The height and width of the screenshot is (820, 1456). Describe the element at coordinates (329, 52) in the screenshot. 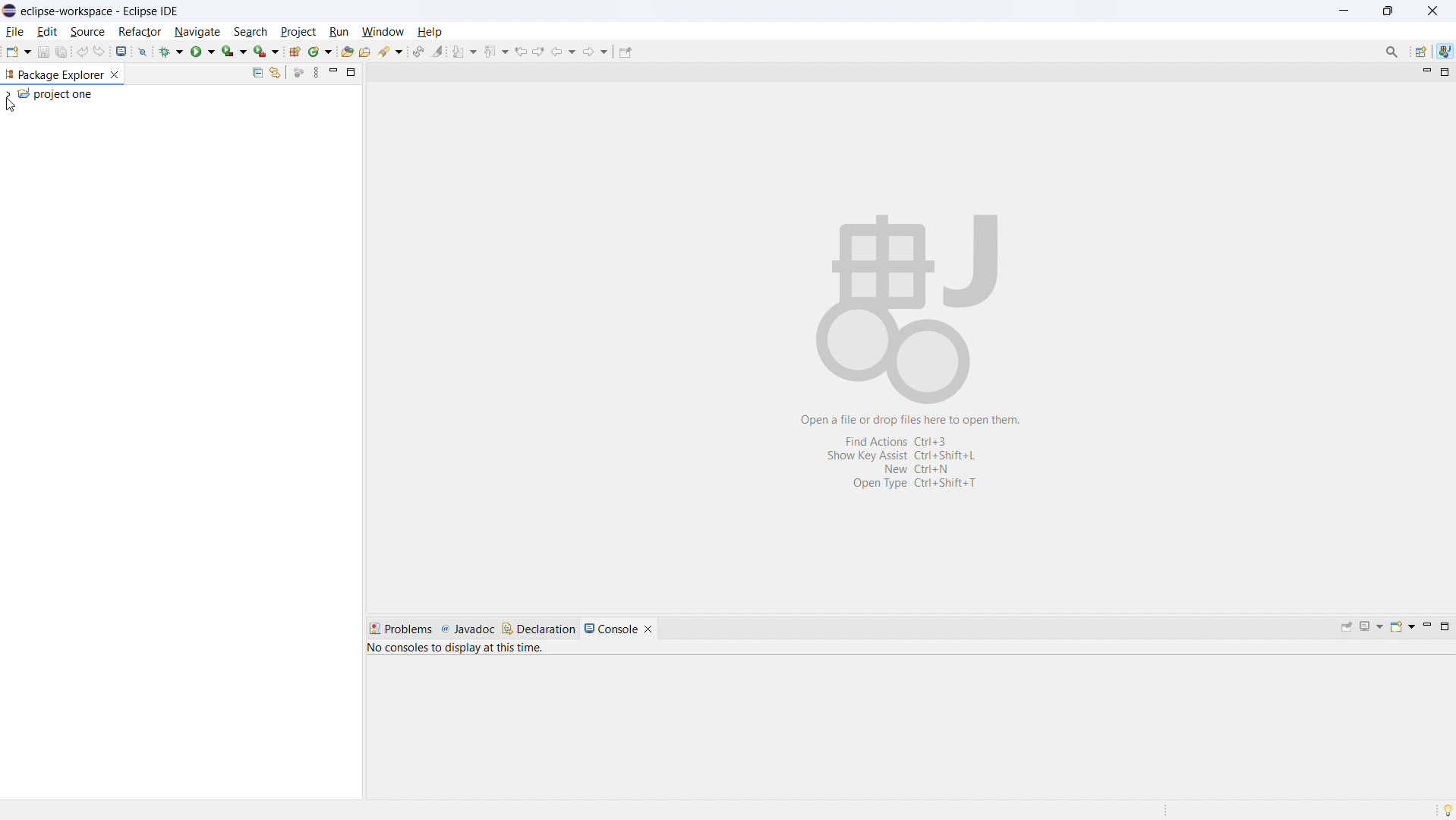

I see `new window` at that location.